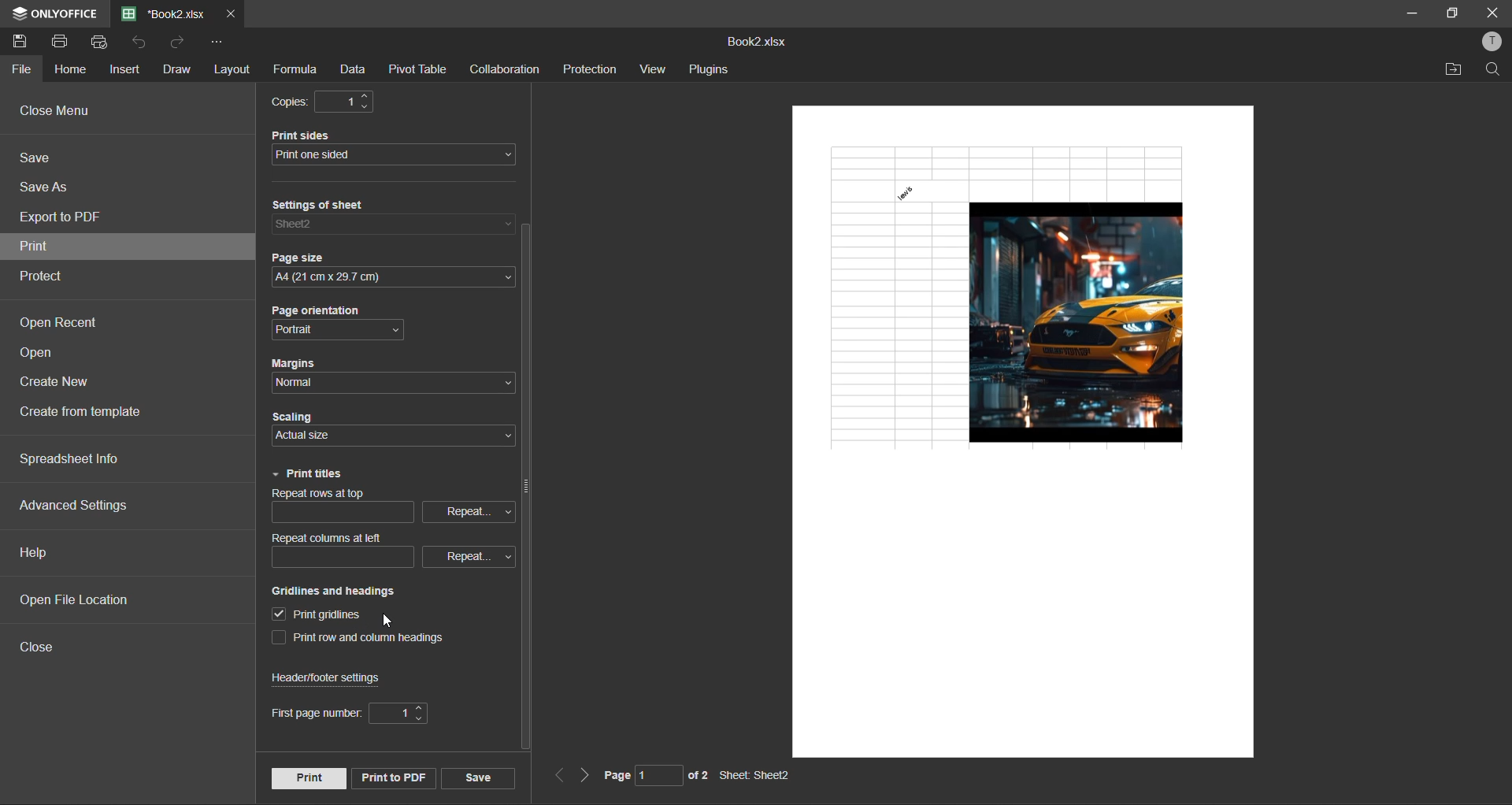 This screenshot has height=805, width=1512. Describe the element at coordinates (753, 774) in the screenshot. I see `sheet name` at that location.